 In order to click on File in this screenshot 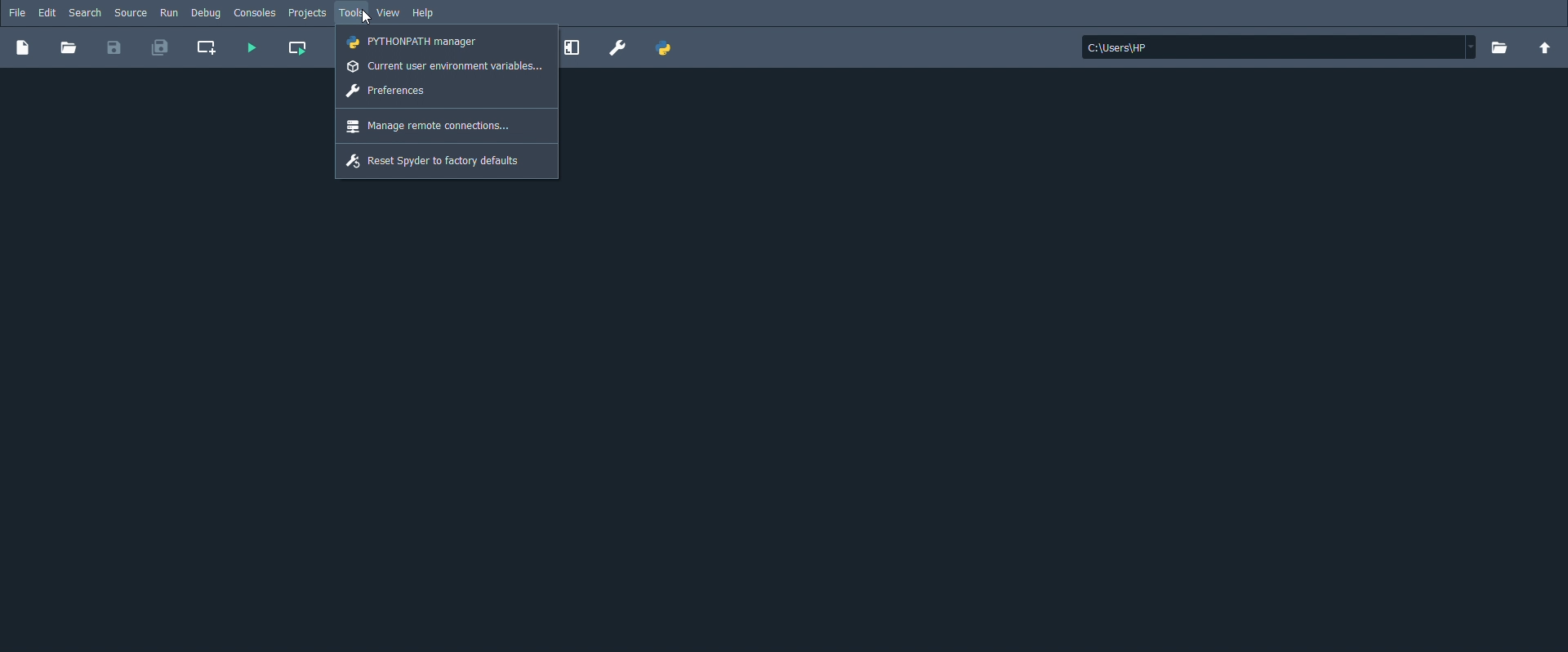, I will do `click(16, 13)`.